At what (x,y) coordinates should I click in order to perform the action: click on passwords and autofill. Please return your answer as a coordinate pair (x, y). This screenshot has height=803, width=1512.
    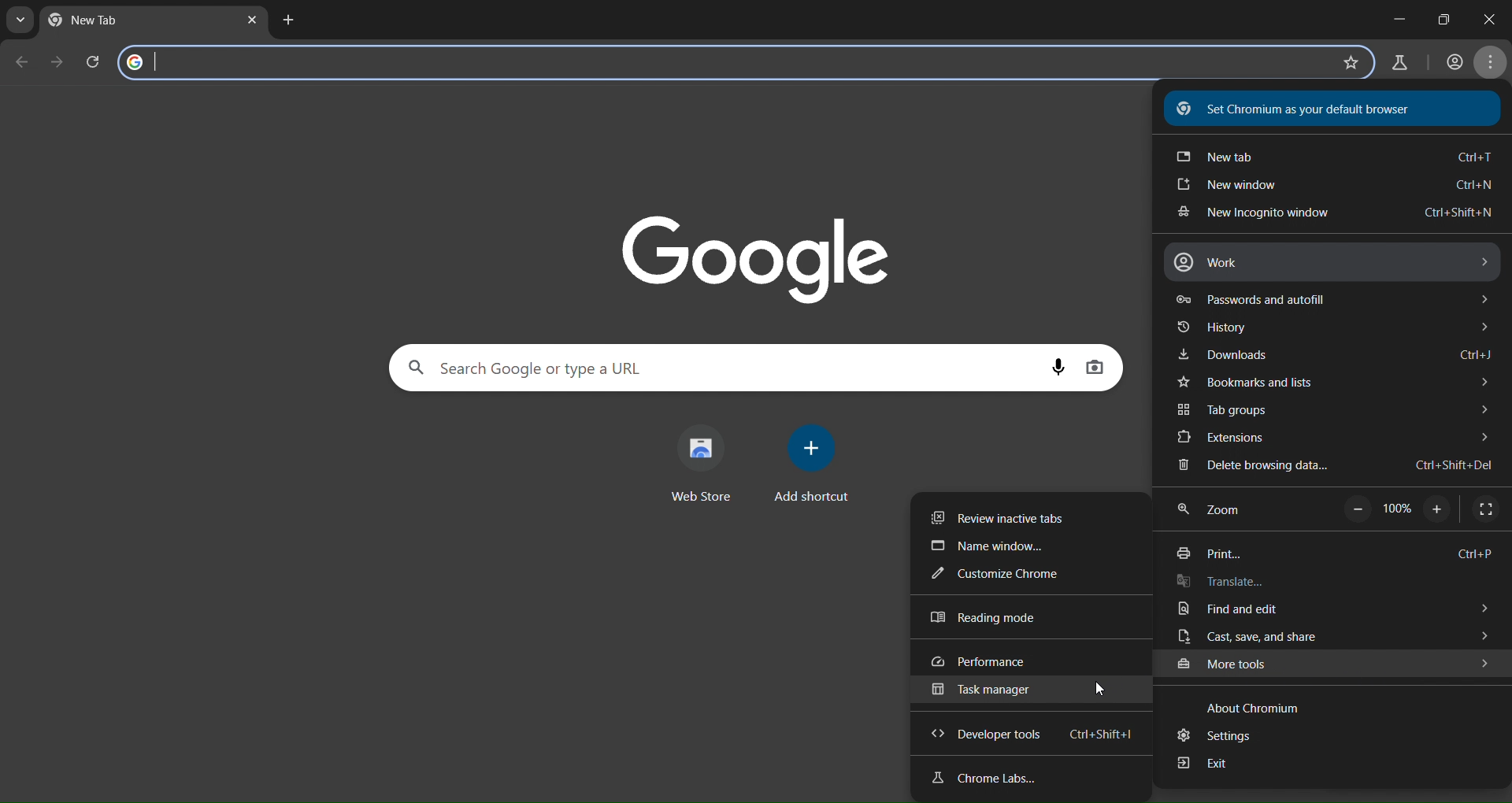
    Looking at the image, I should click on (1326, 299).